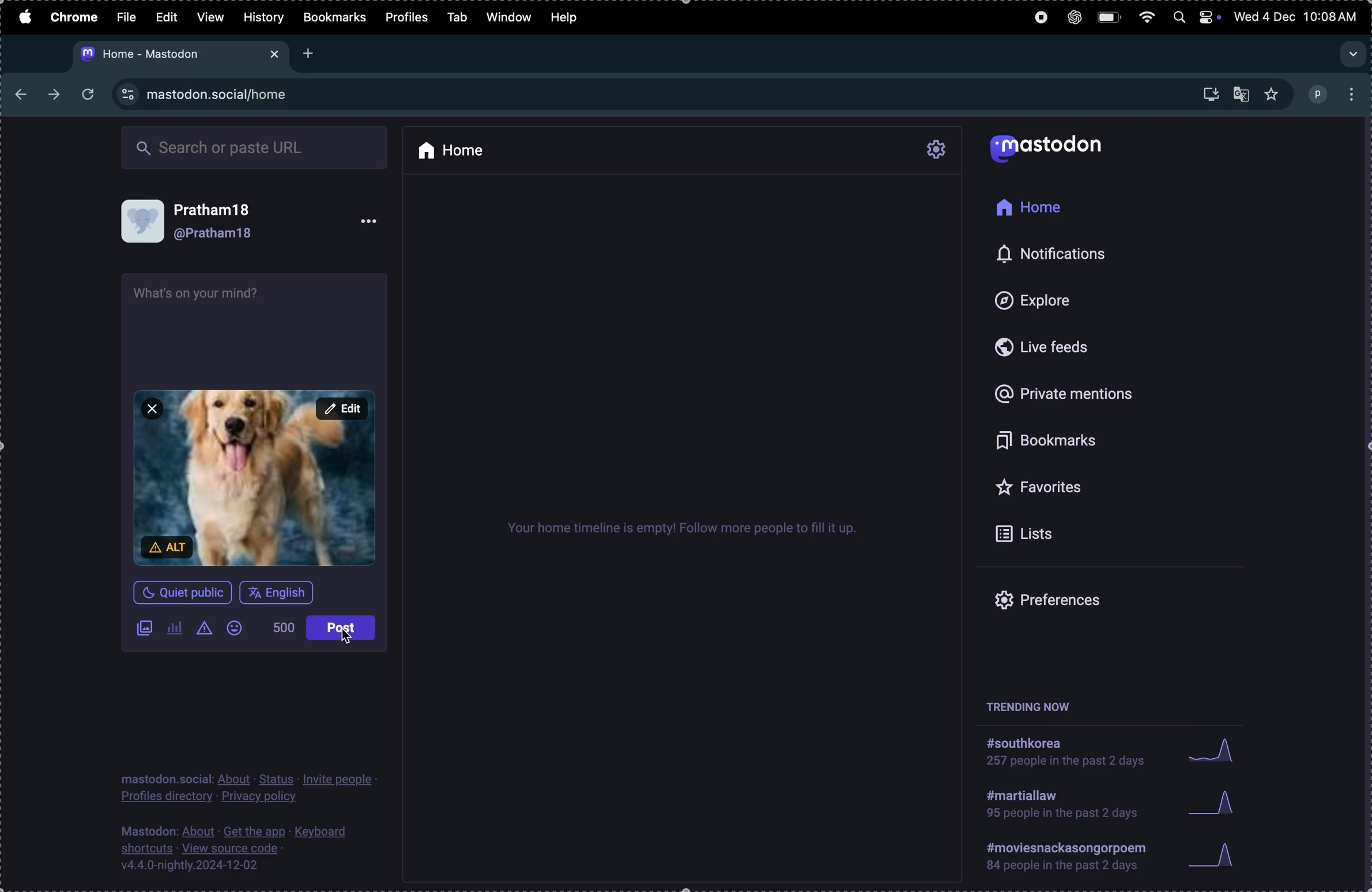 This screenshot has height=892, width=1372. Describe the element at coordinates (340, 628) in the screenshot. I see `Post` at that location.